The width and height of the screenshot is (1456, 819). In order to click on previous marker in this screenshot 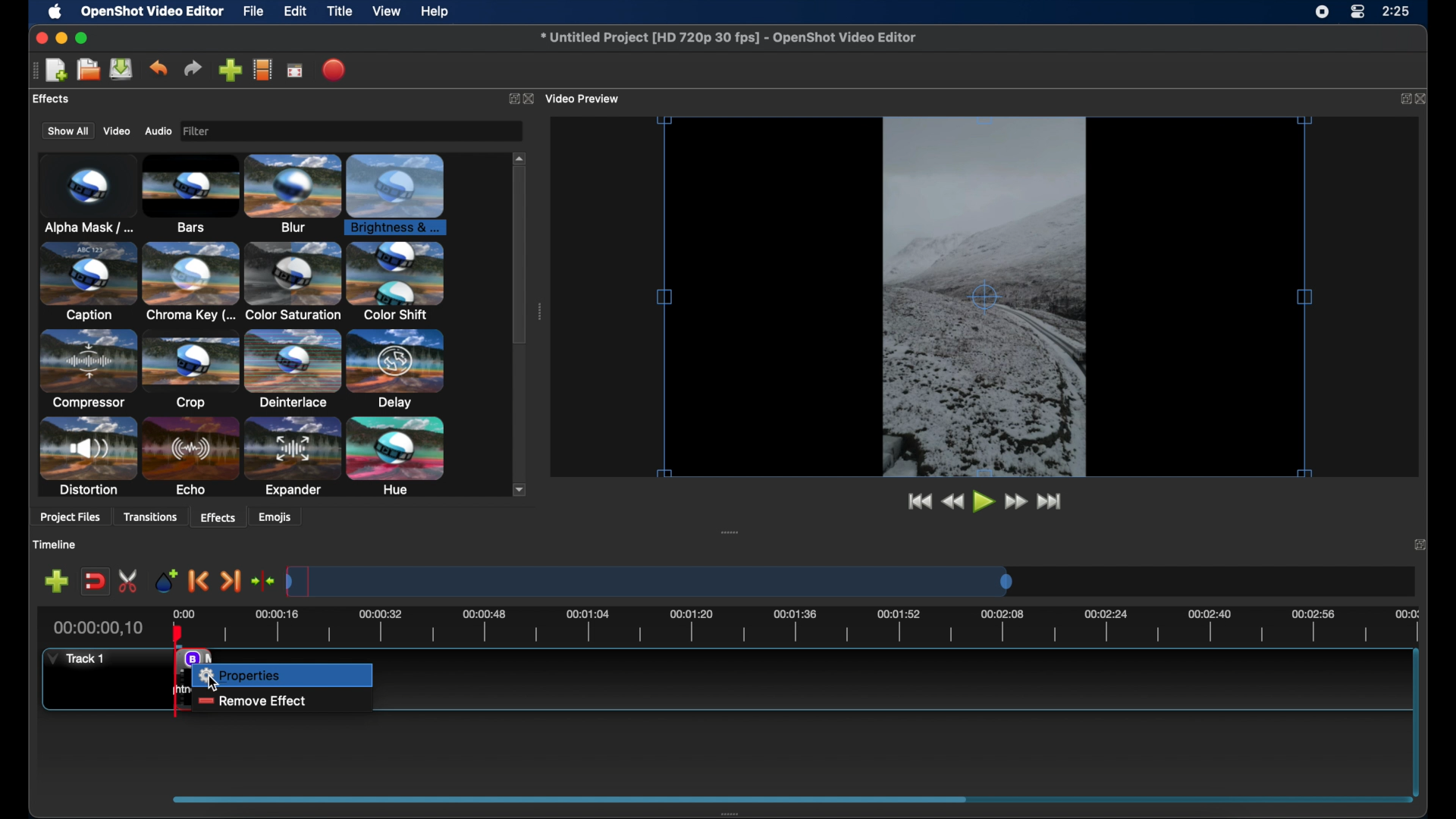, I will do `click(196, 580)`.